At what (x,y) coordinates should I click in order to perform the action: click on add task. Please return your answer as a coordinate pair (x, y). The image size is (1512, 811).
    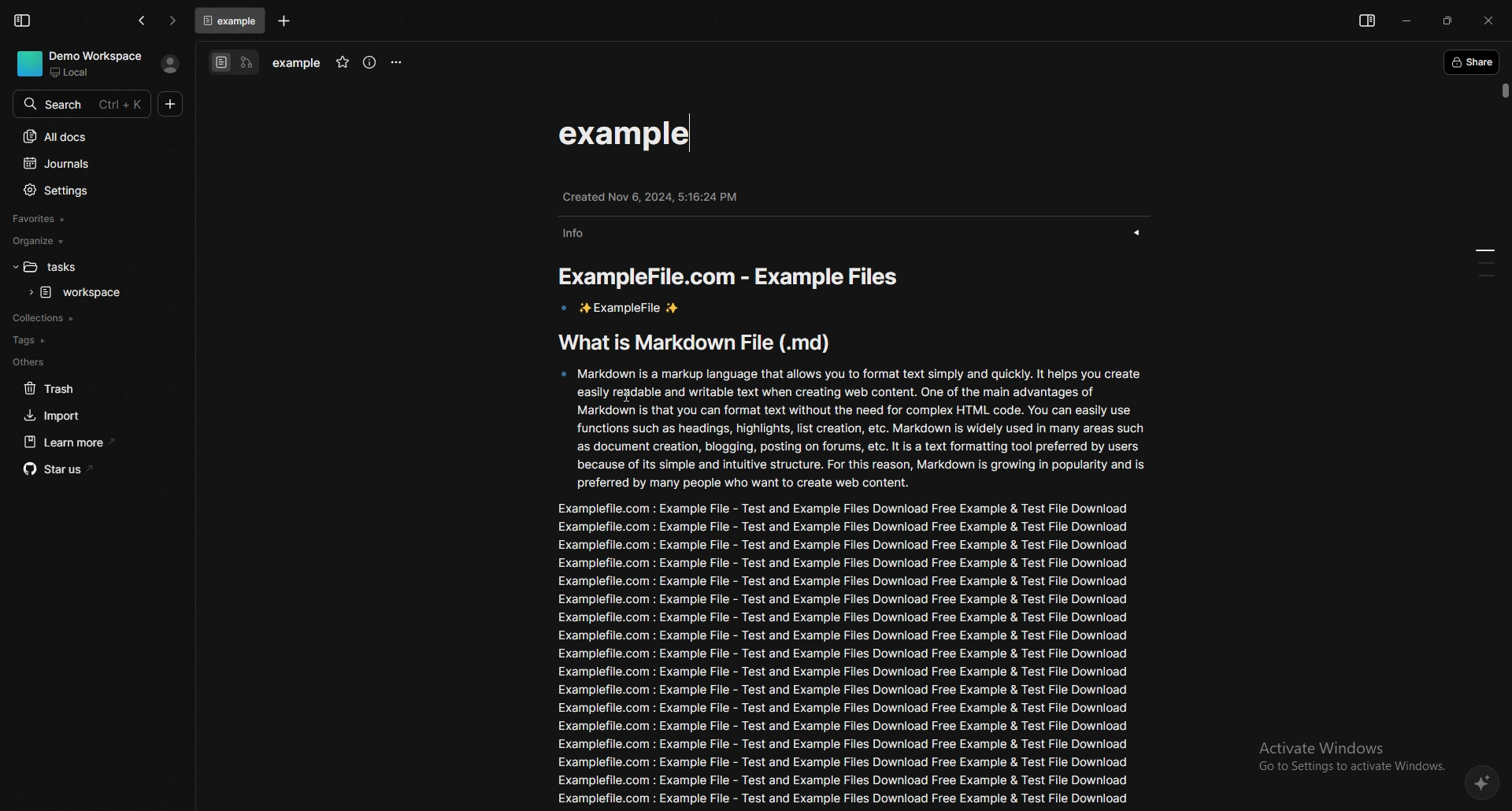
    Looking at the image, I should click on (285, 20).